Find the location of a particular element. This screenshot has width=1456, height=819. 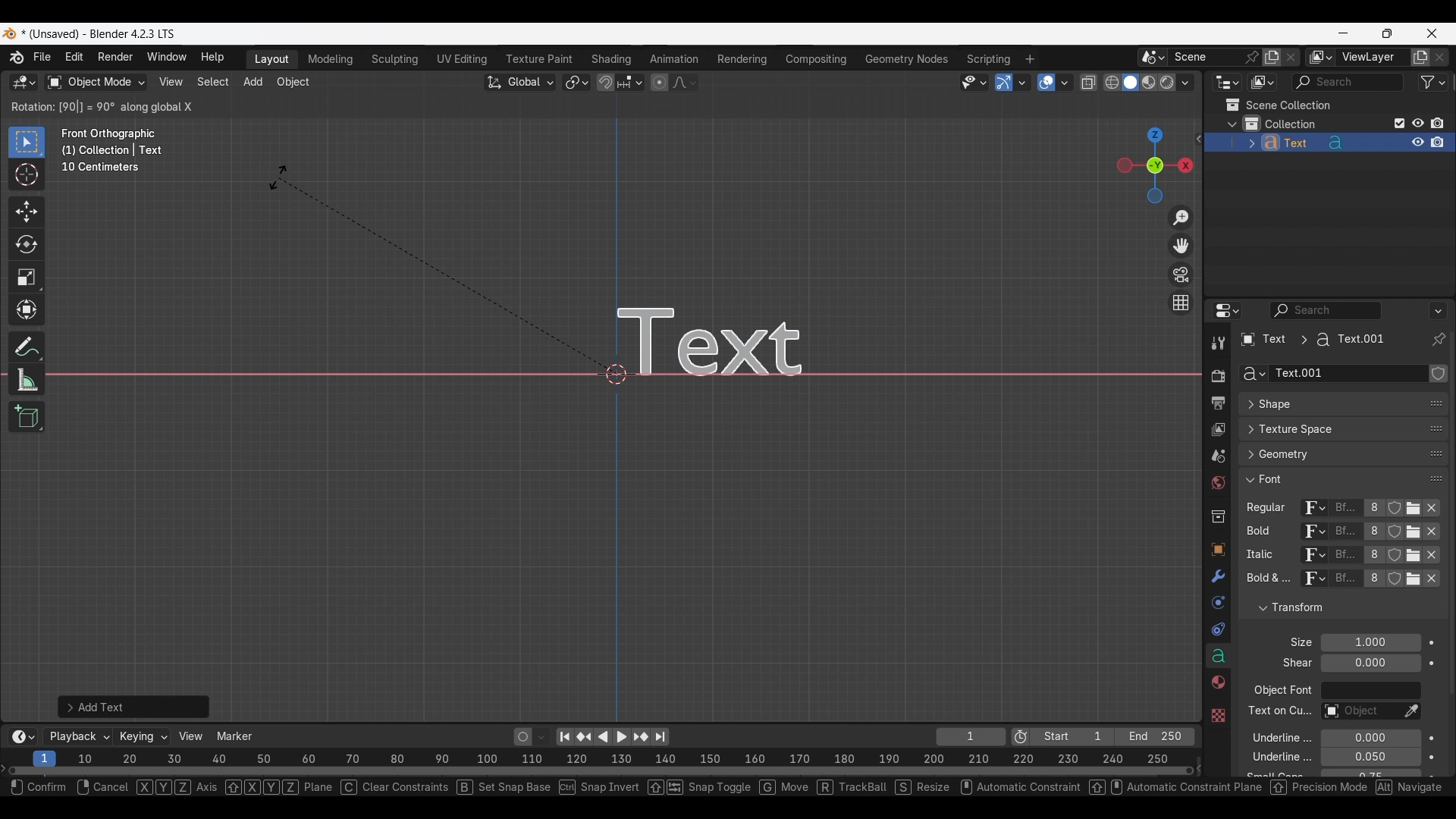

regular is located at coordinates (1269, 509).